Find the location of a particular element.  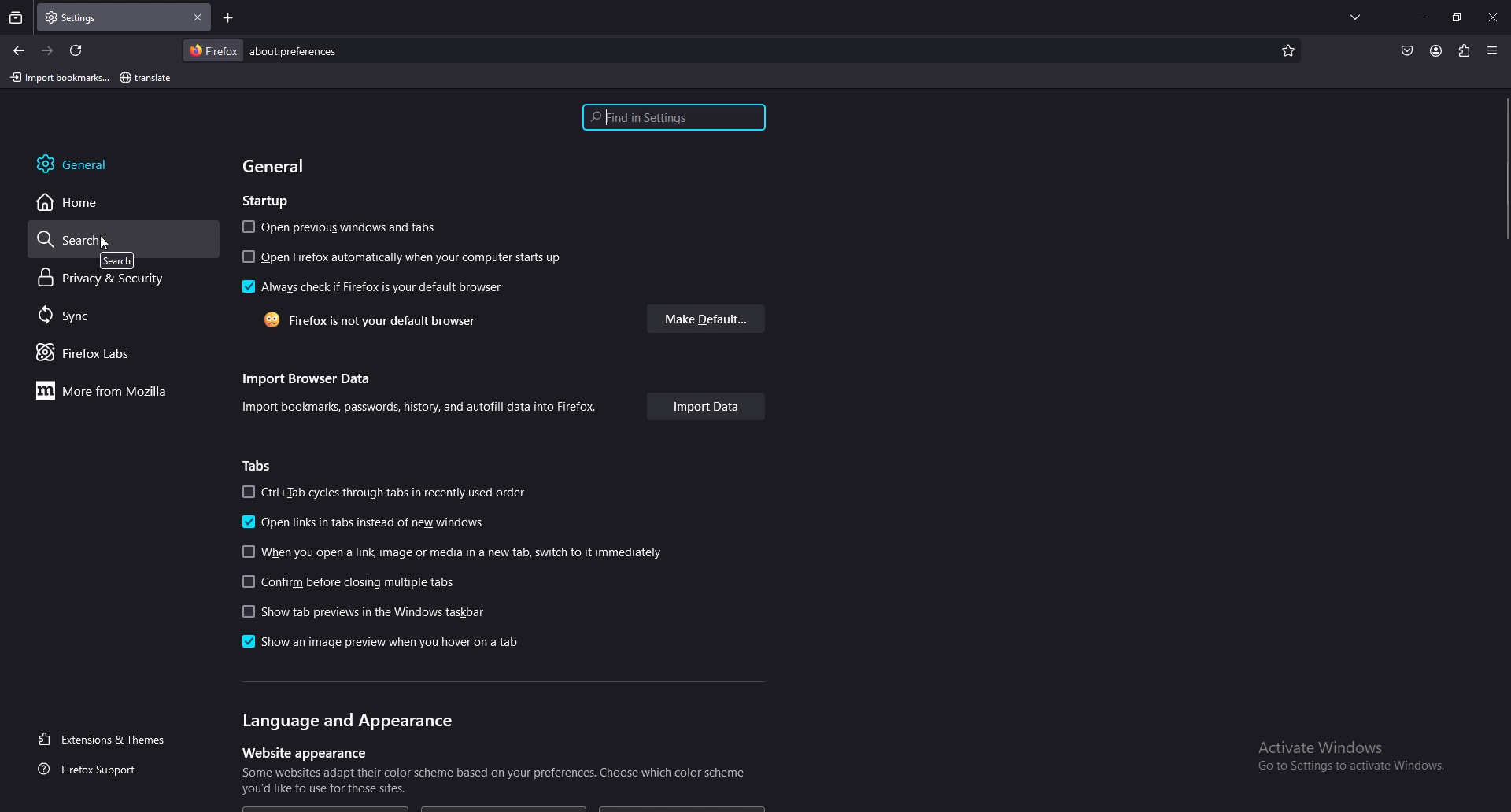

privacy and security is located at coordinates (113, 282).